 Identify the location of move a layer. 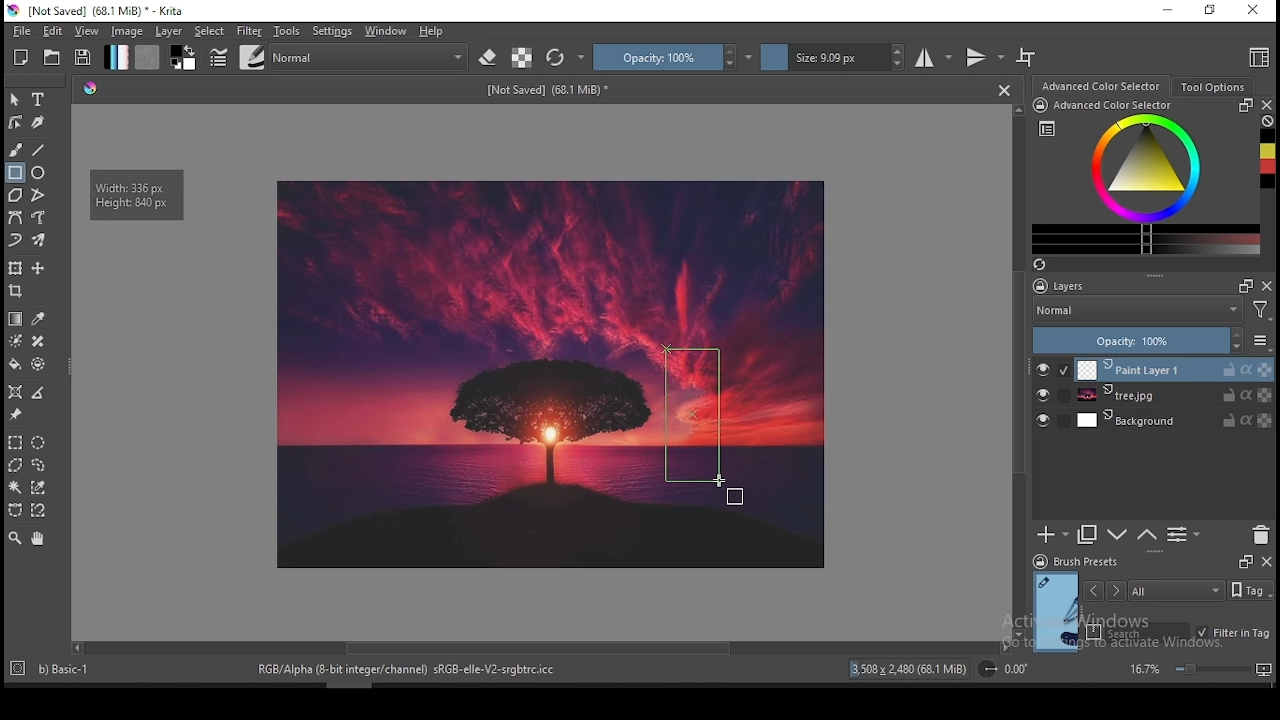
(38, 269).